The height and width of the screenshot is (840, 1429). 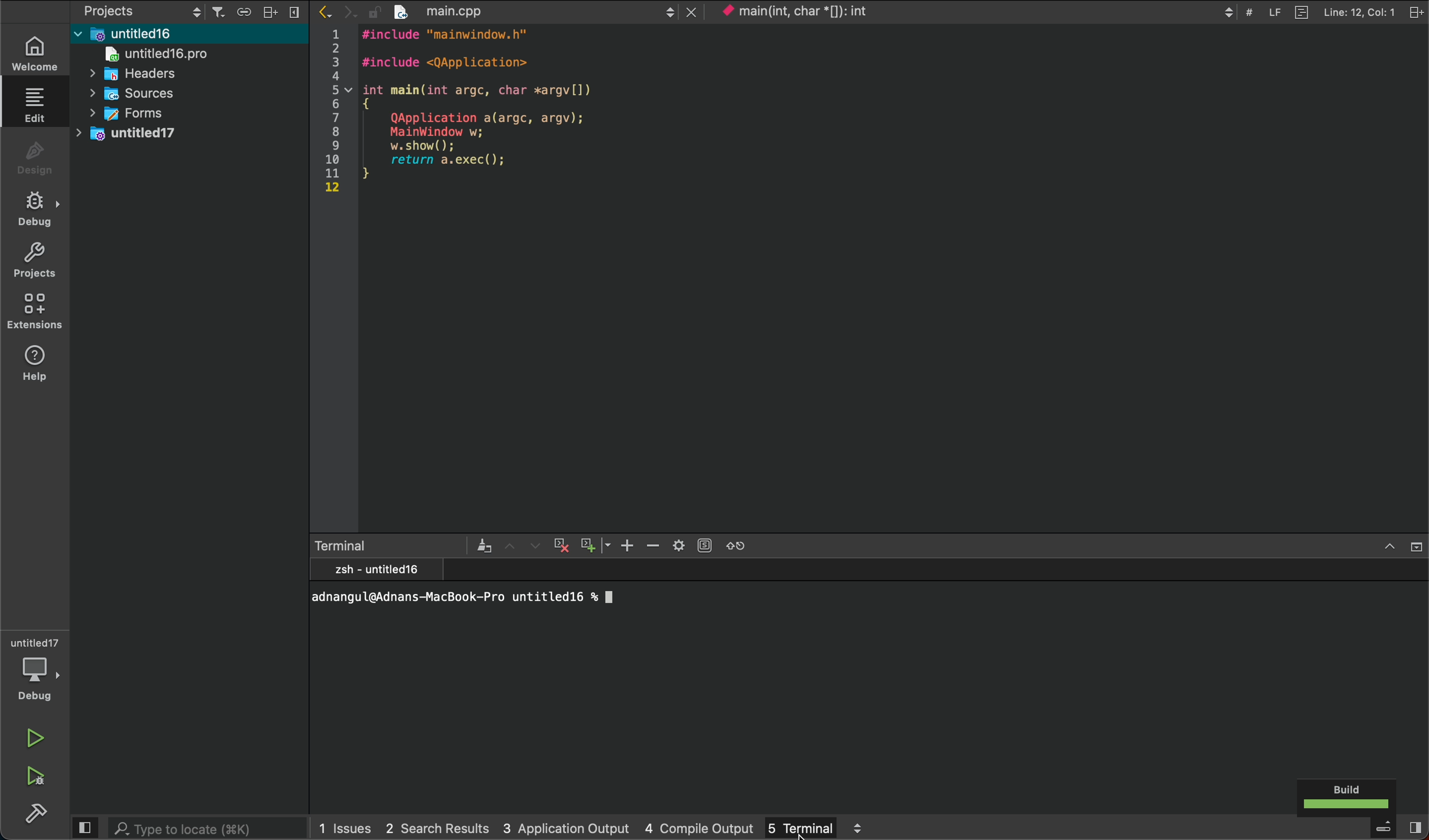 I want to click on side panel, so click(x=84, y=828).